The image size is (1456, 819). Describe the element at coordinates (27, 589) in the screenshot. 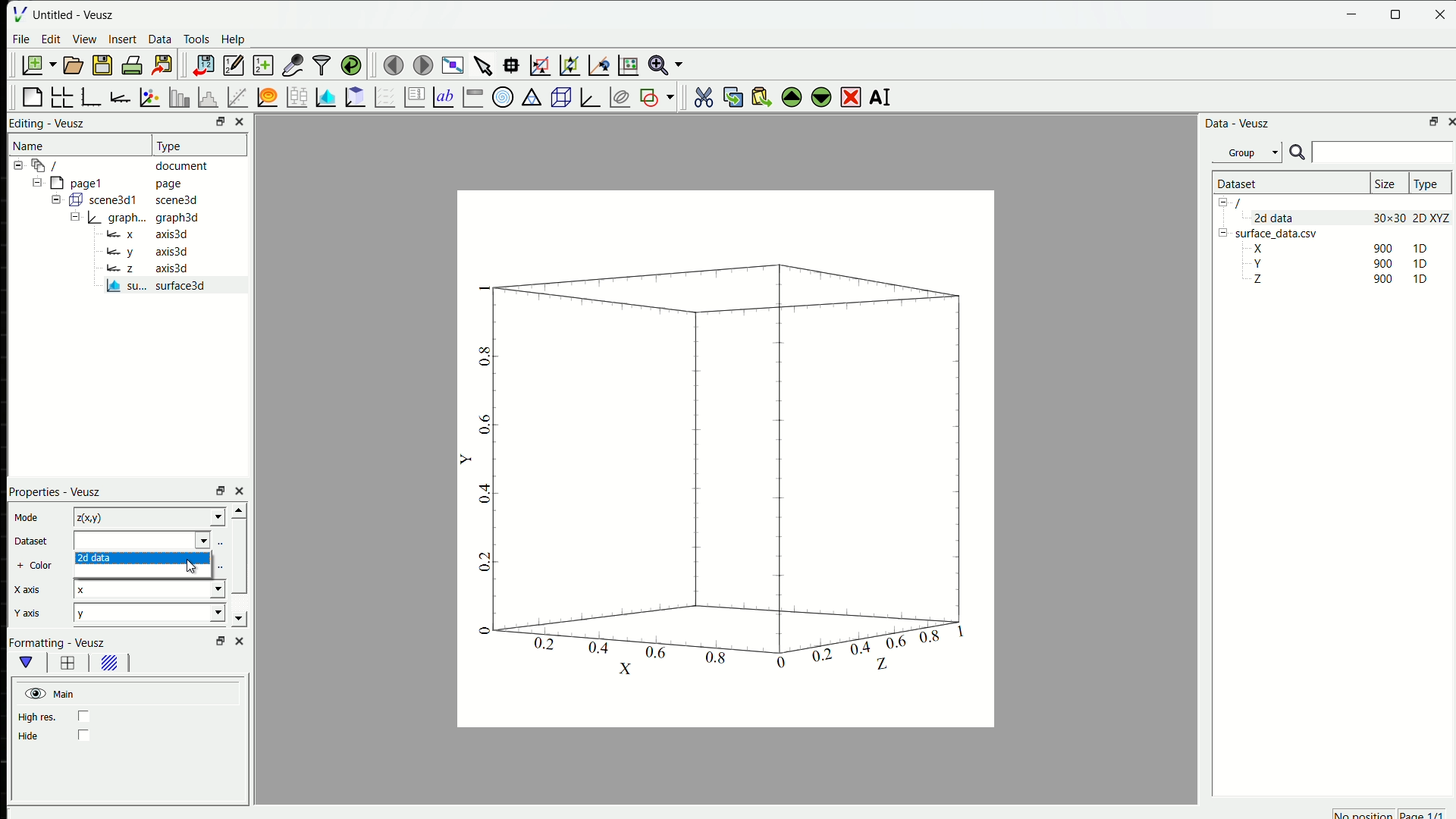

I see `X axis` at that location.